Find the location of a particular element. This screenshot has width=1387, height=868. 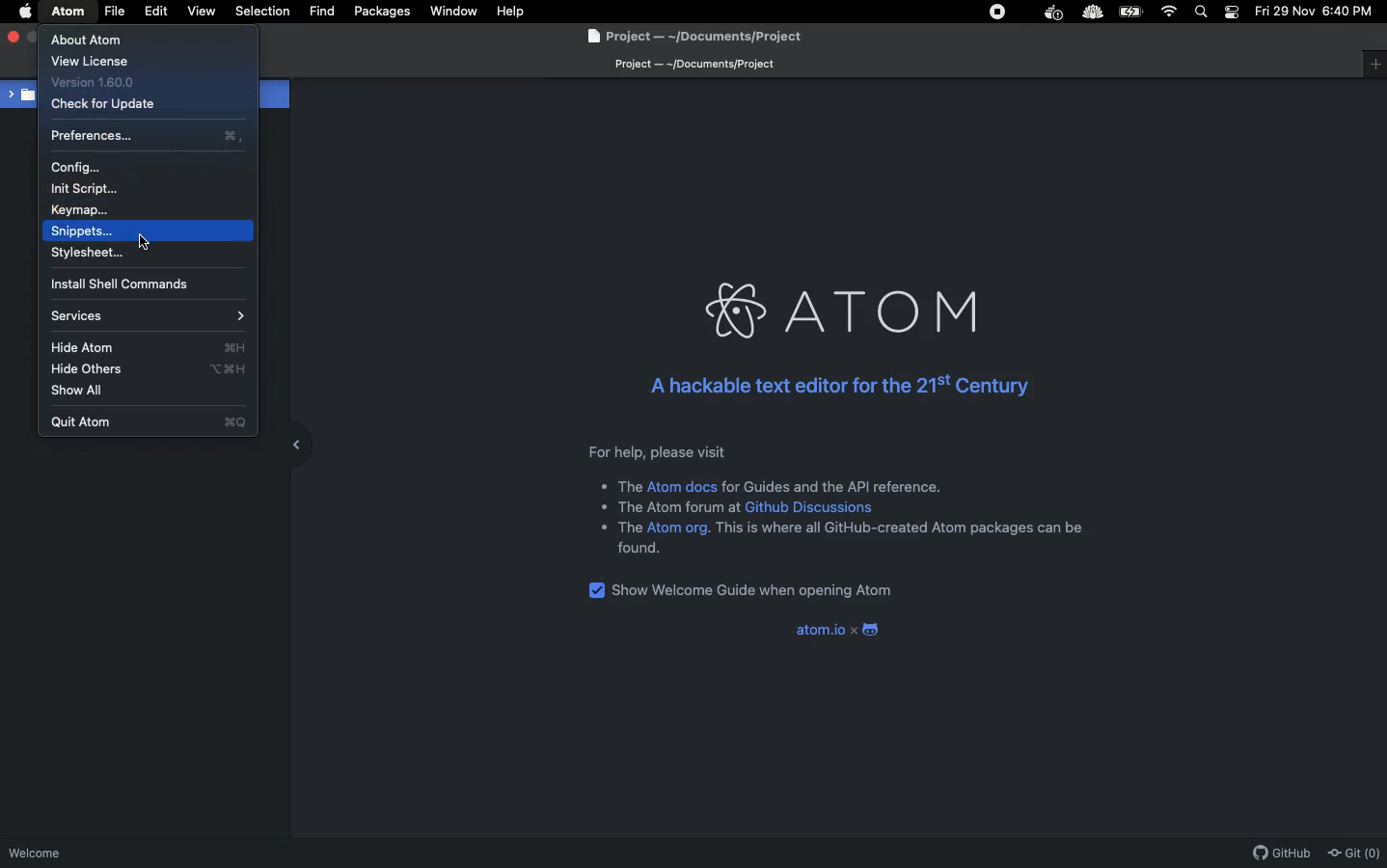

Minimize is located at coordinates (290, 443).